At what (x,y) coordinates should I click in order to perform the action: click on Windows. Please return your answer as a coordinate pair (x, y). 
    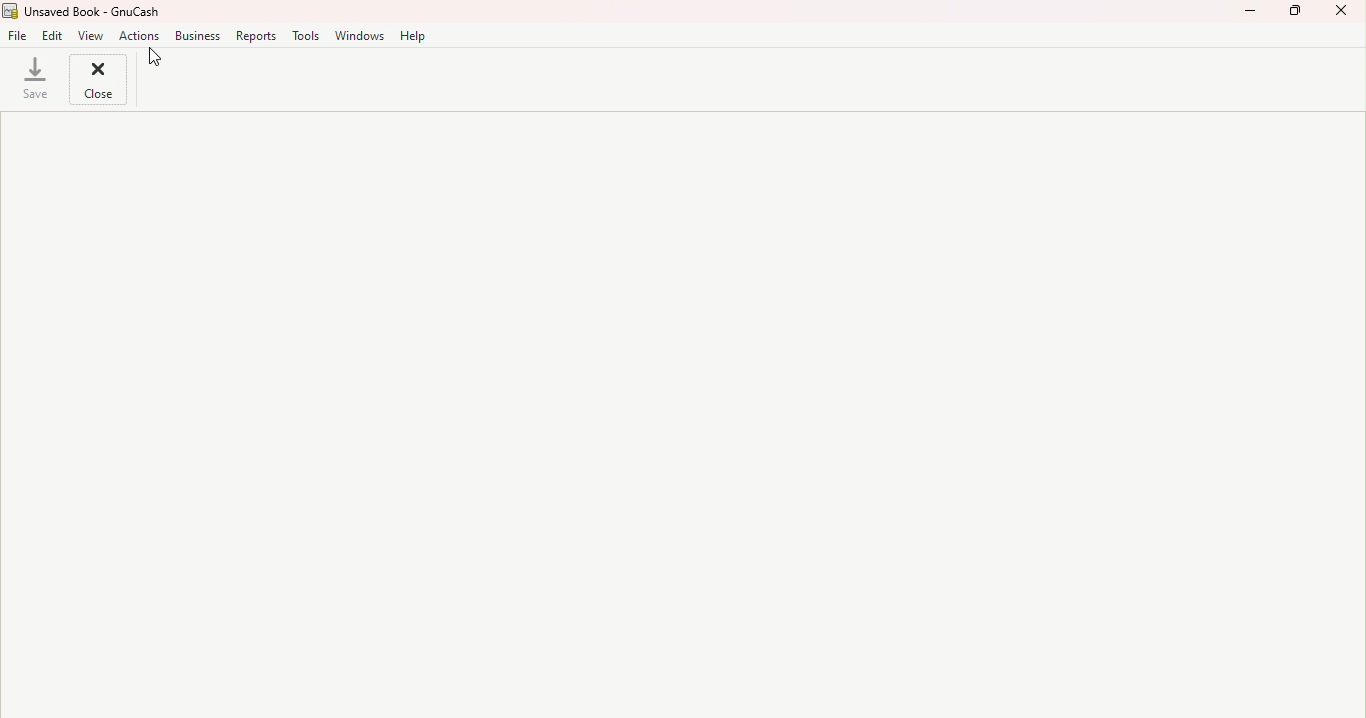
    Looking at the image, I should click on (361, 36).